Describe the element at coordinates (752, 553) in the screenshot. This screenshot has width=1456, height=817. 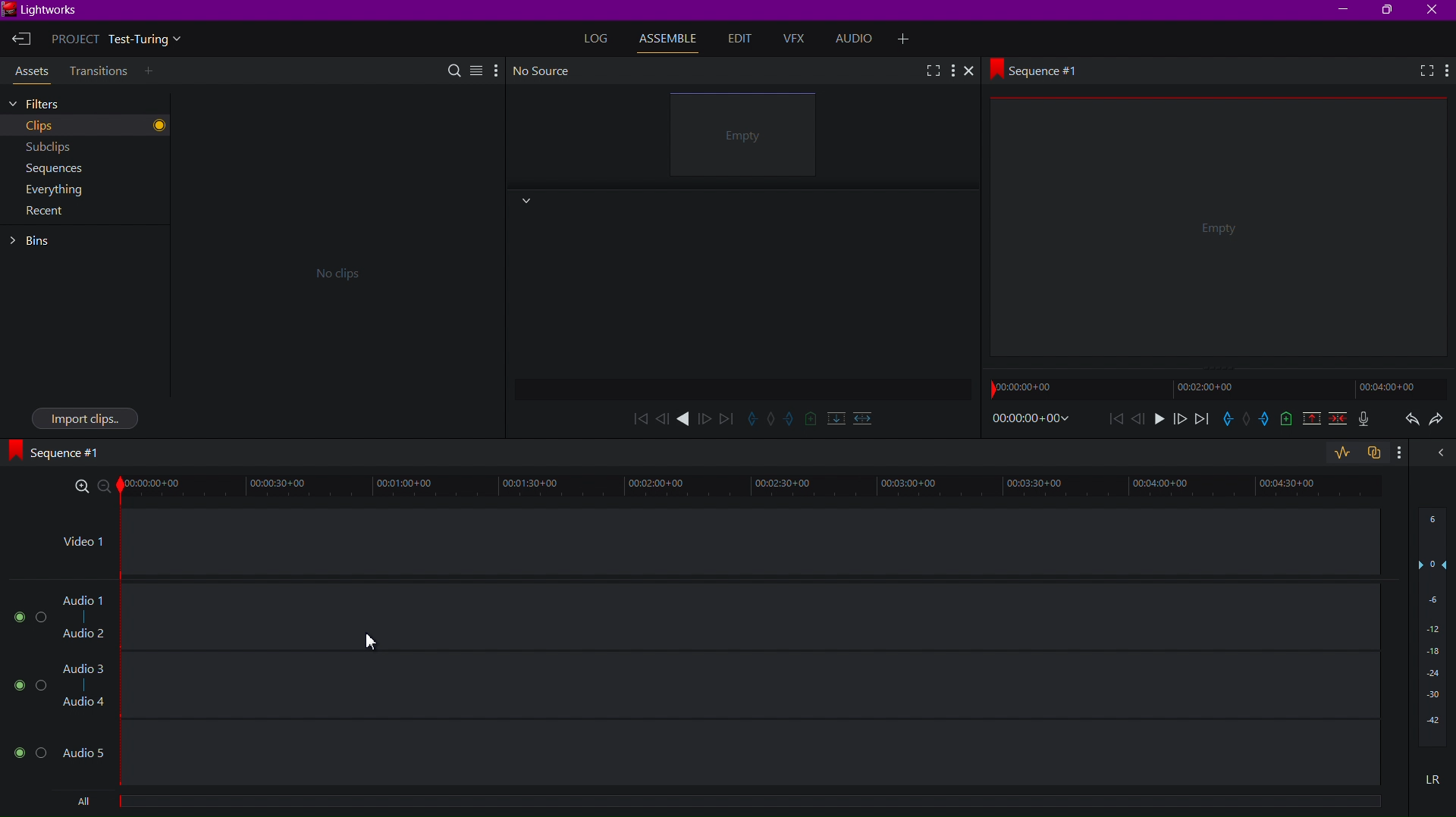
I see `Video Track` at that location.